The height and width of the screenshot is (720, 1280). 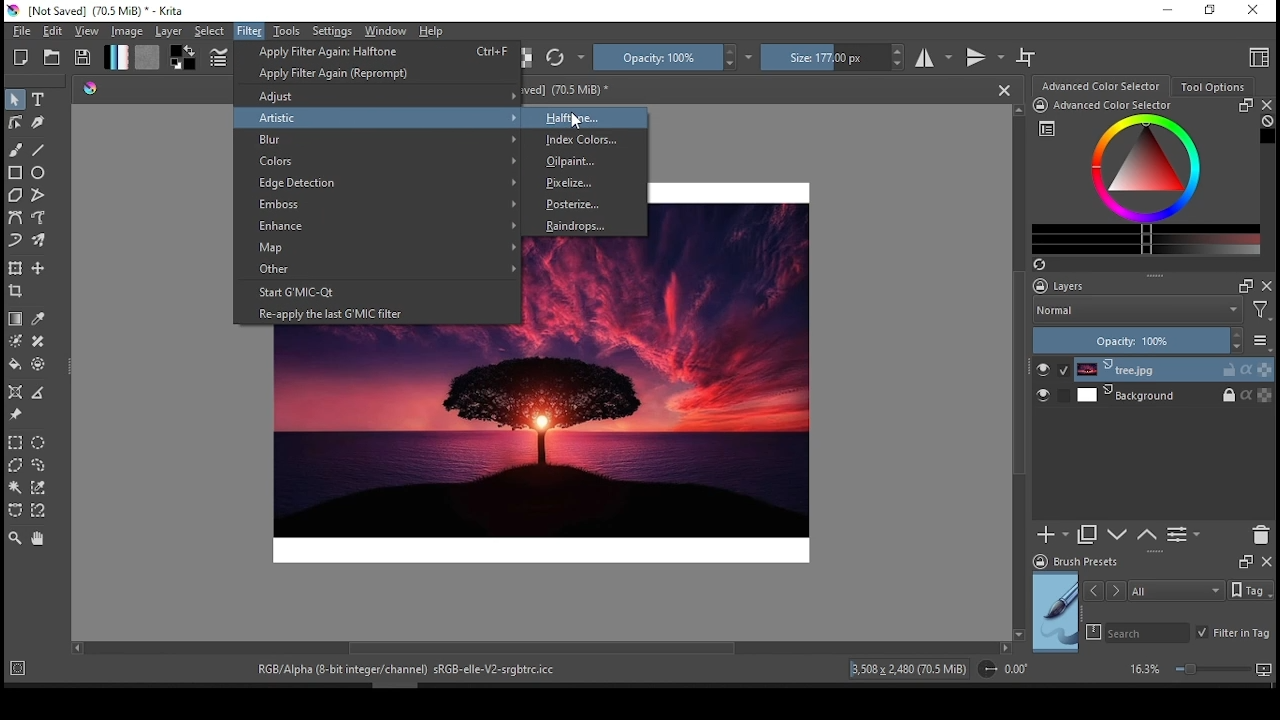 I want to click on new, so click(x=21, y=58).